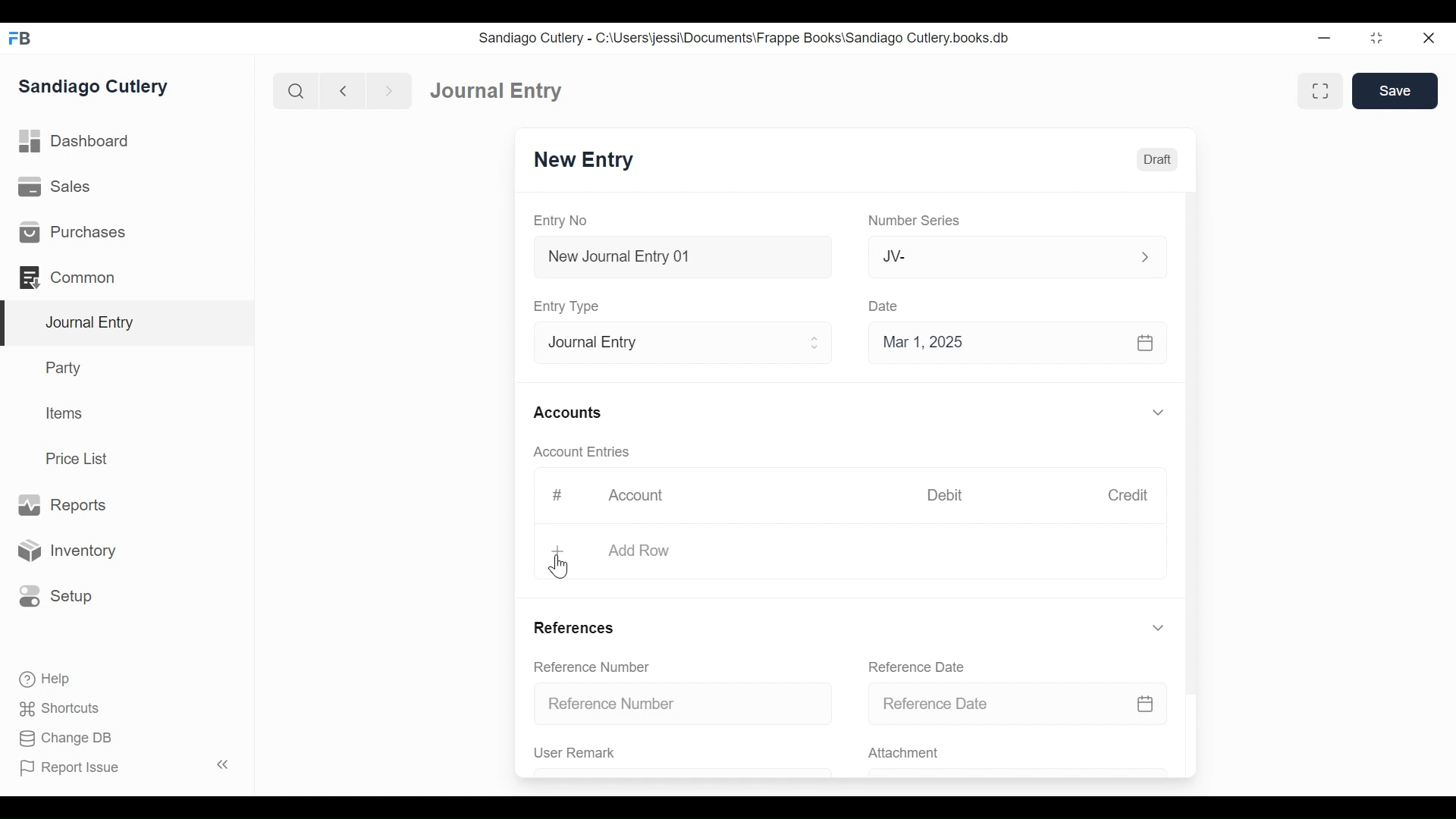 The image size is (1456, 819). What do you see at coordinates (1155, 159) in the screenshot?
I see `Draft` at bounding box center [1155, 159].